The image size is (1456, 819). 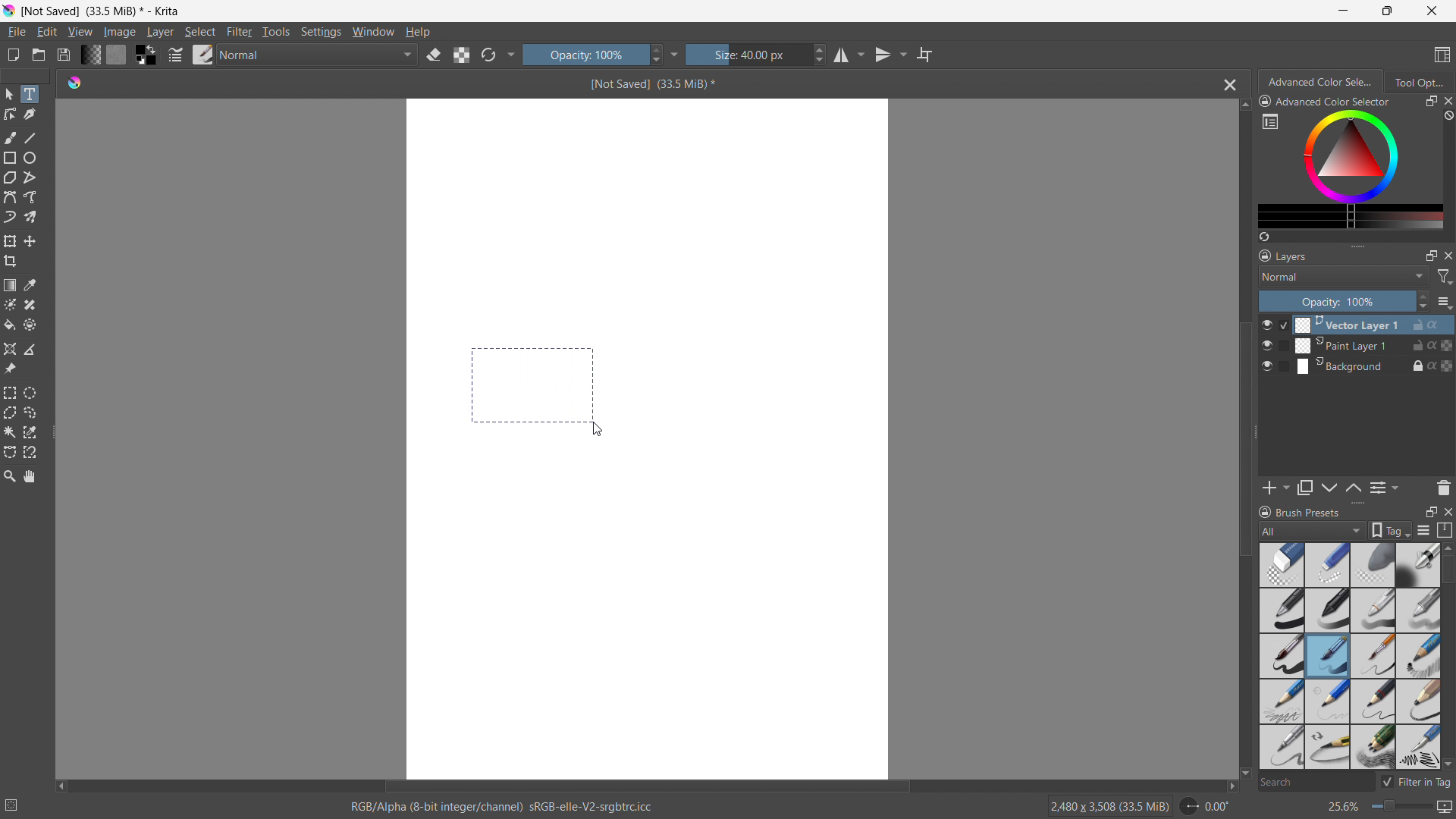 I want to click on choose workspace, so click(x=1442, y=55).